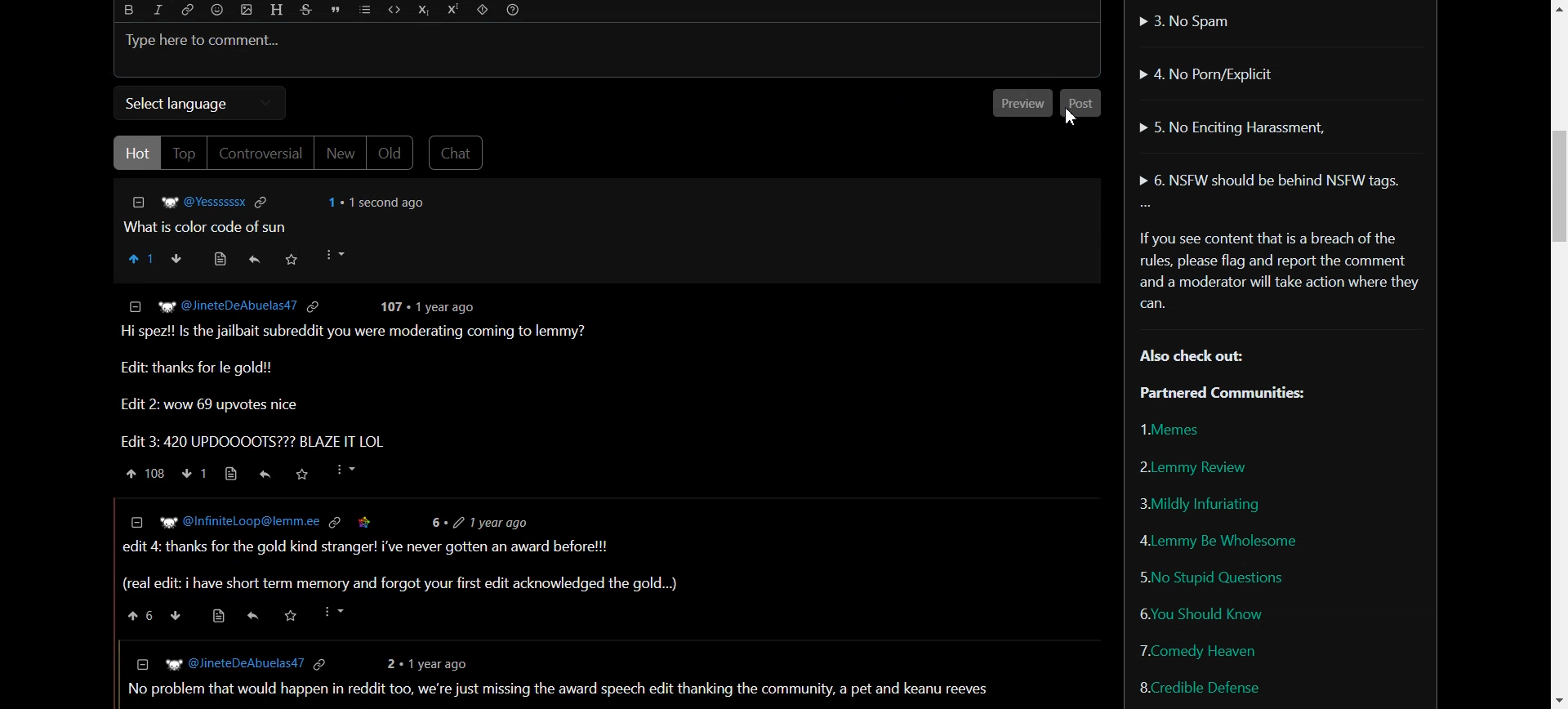 The width and height of the screenshot is (1568, 709). I want to click on Controversial, so click(262, 154).